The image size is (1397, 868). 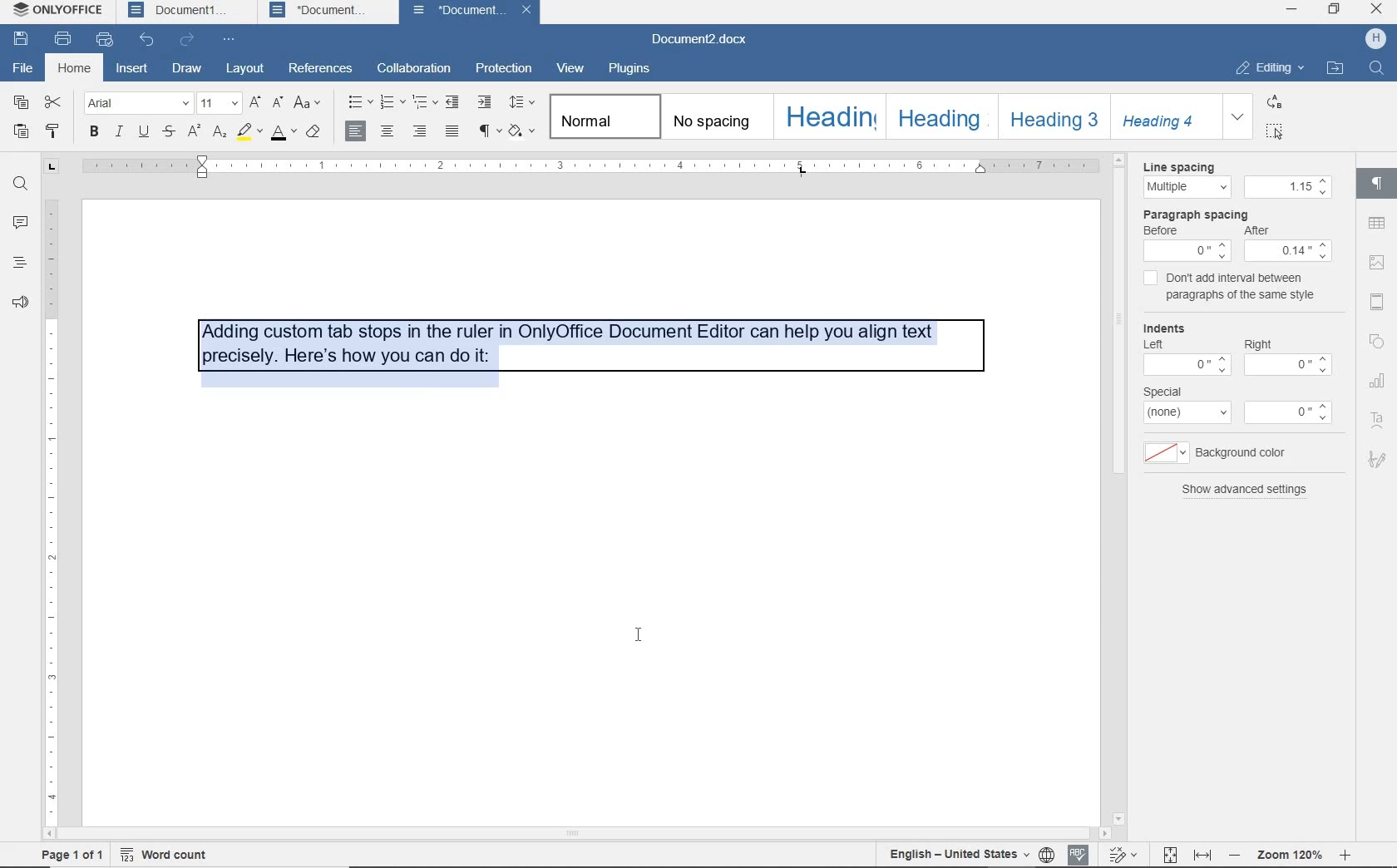 What do you see at coordinates (284, 133) in the screenshot?
I see `font color` at bounding box center [284, 133].